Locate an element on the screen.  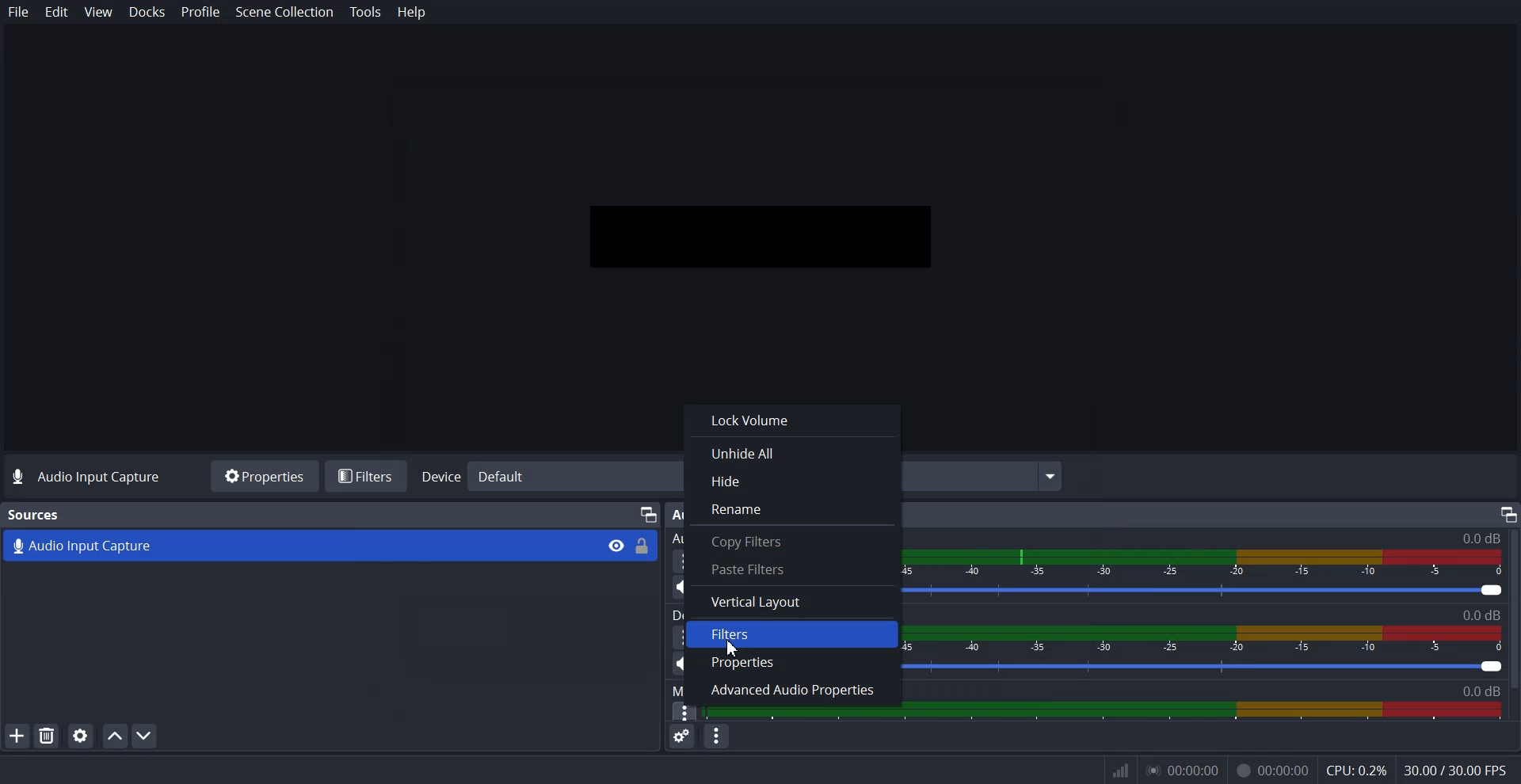
Filters is located at coordinates (797, 633).